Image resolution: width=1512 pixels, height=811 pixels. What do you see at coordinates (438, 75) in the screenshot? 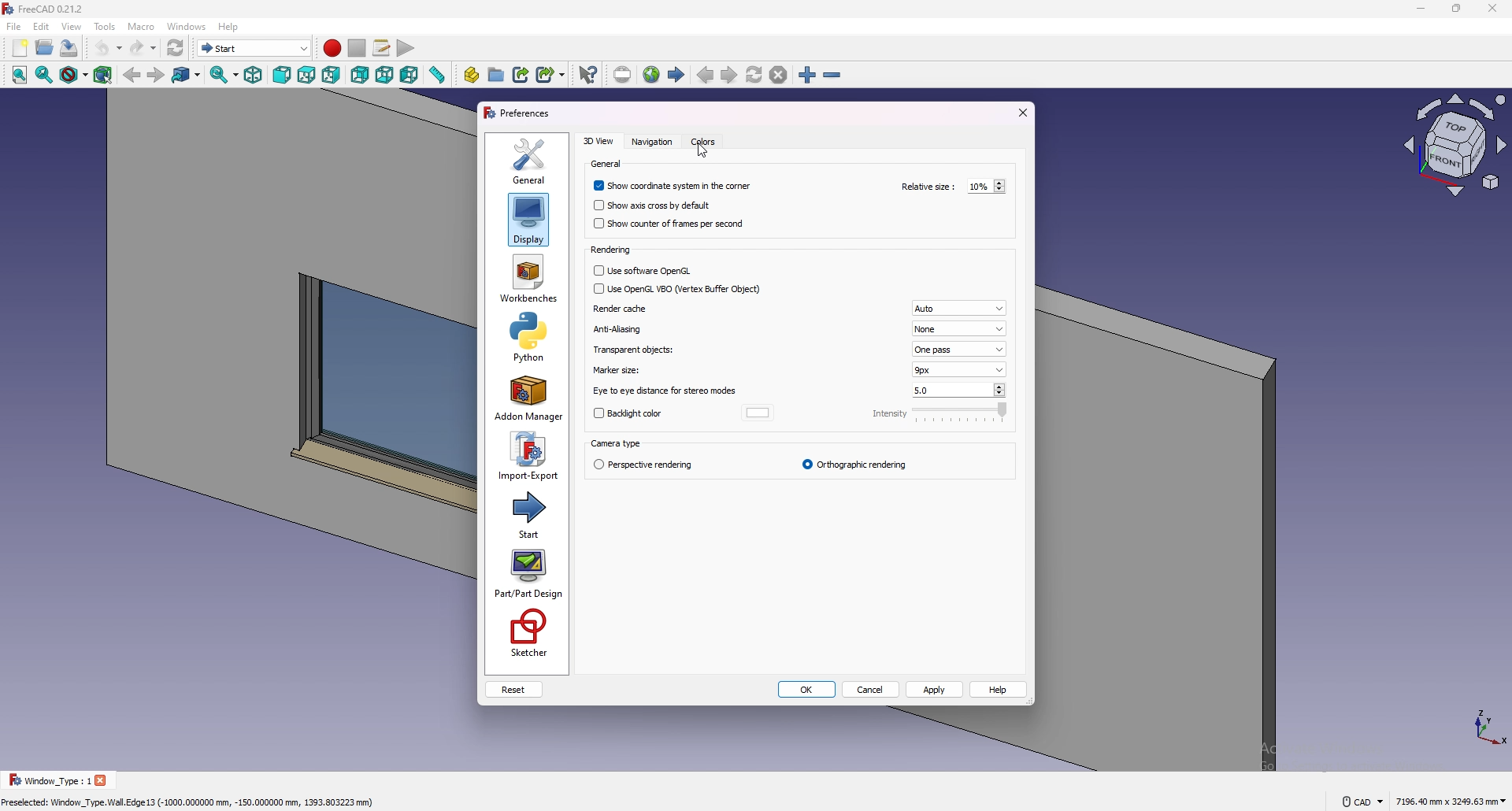
I see `measure distance` at bounding box center [438, 75].